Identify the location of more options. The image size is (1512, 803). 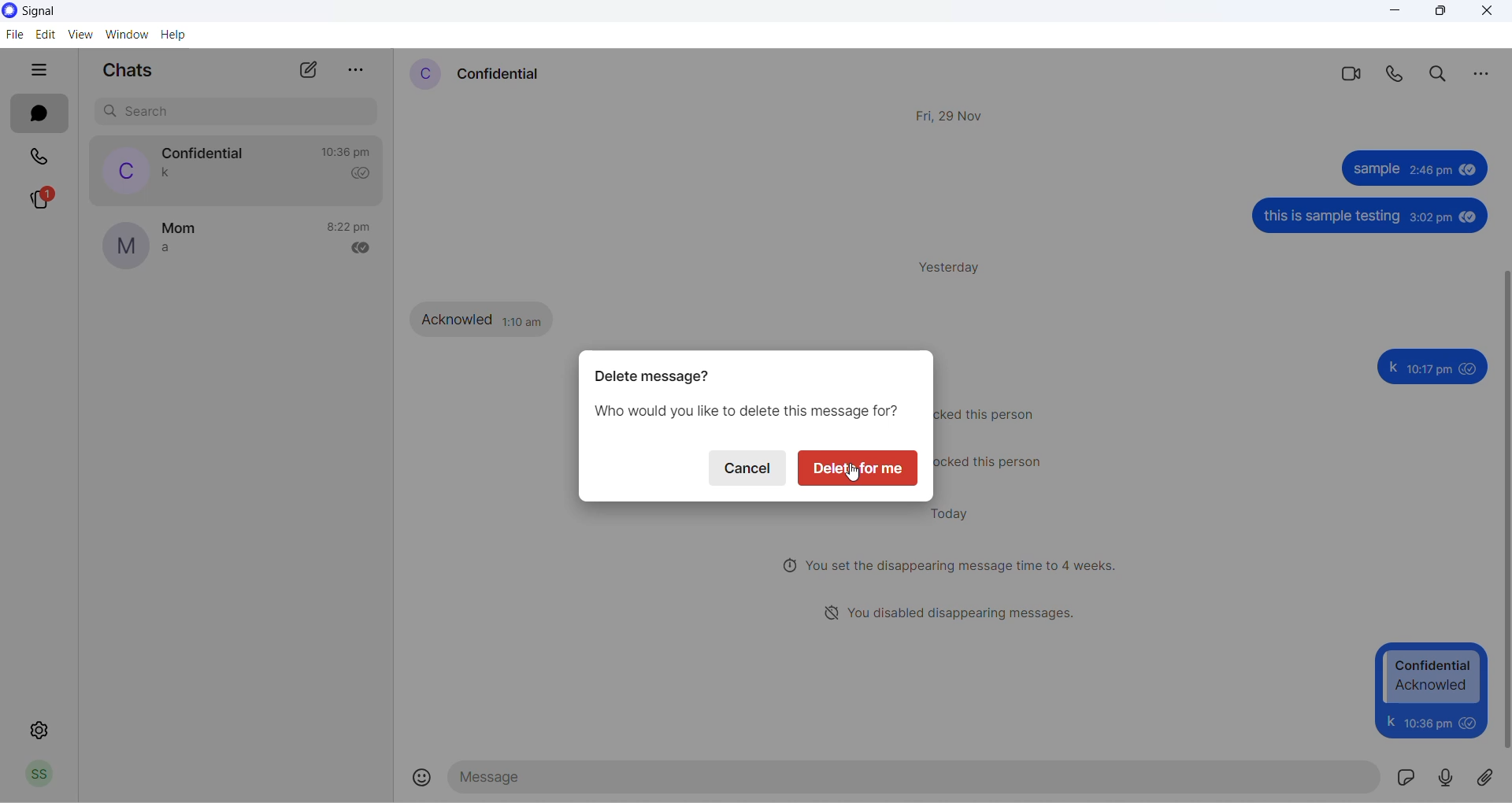
(355, 69).